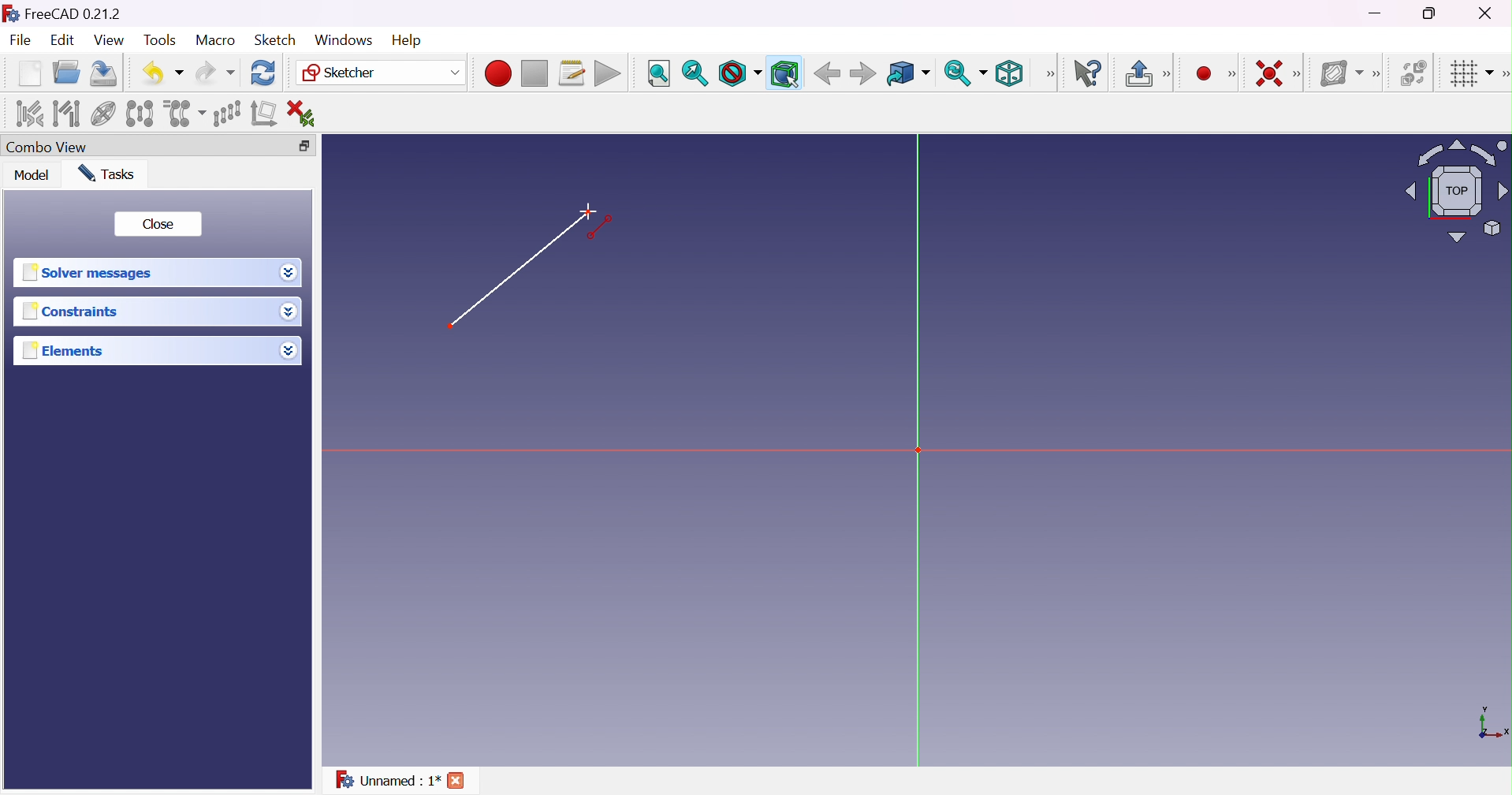  Describe the element at coordinates (61, 41) in the screenshot. I see `Edit` at that location.